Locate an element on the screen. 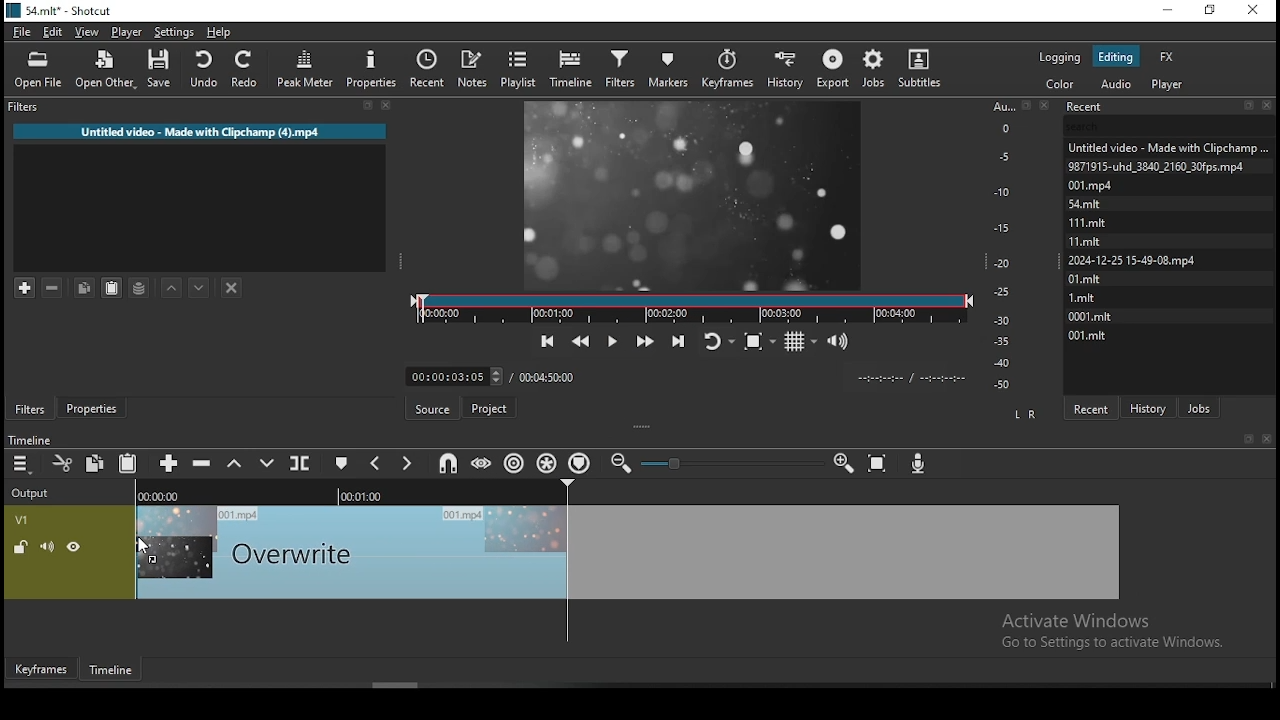 This screenshot has height=720, width=1280. editing is located at coordinates (1116, 58).